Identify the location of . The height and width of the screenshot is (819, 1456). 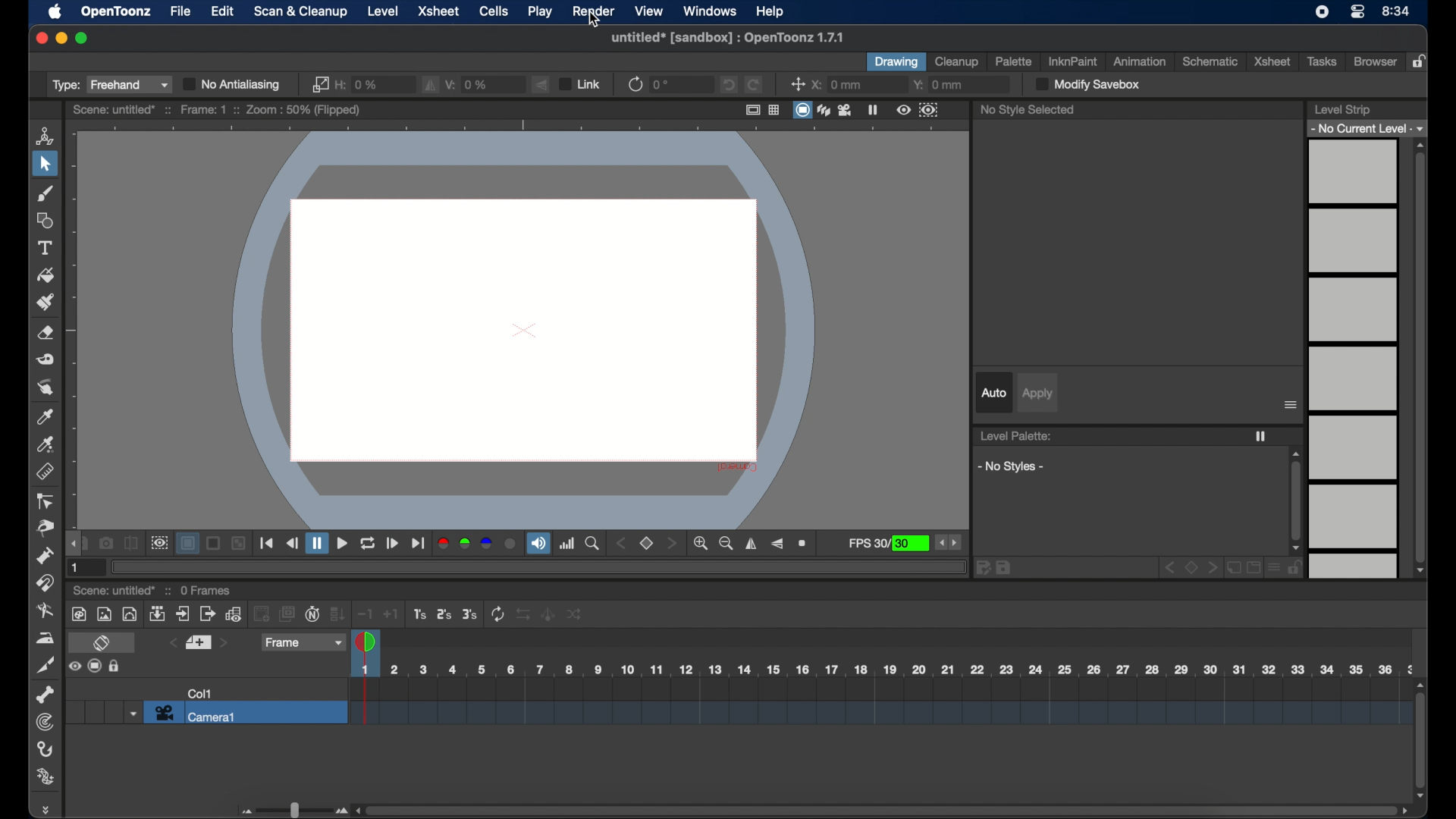
(132, 614).